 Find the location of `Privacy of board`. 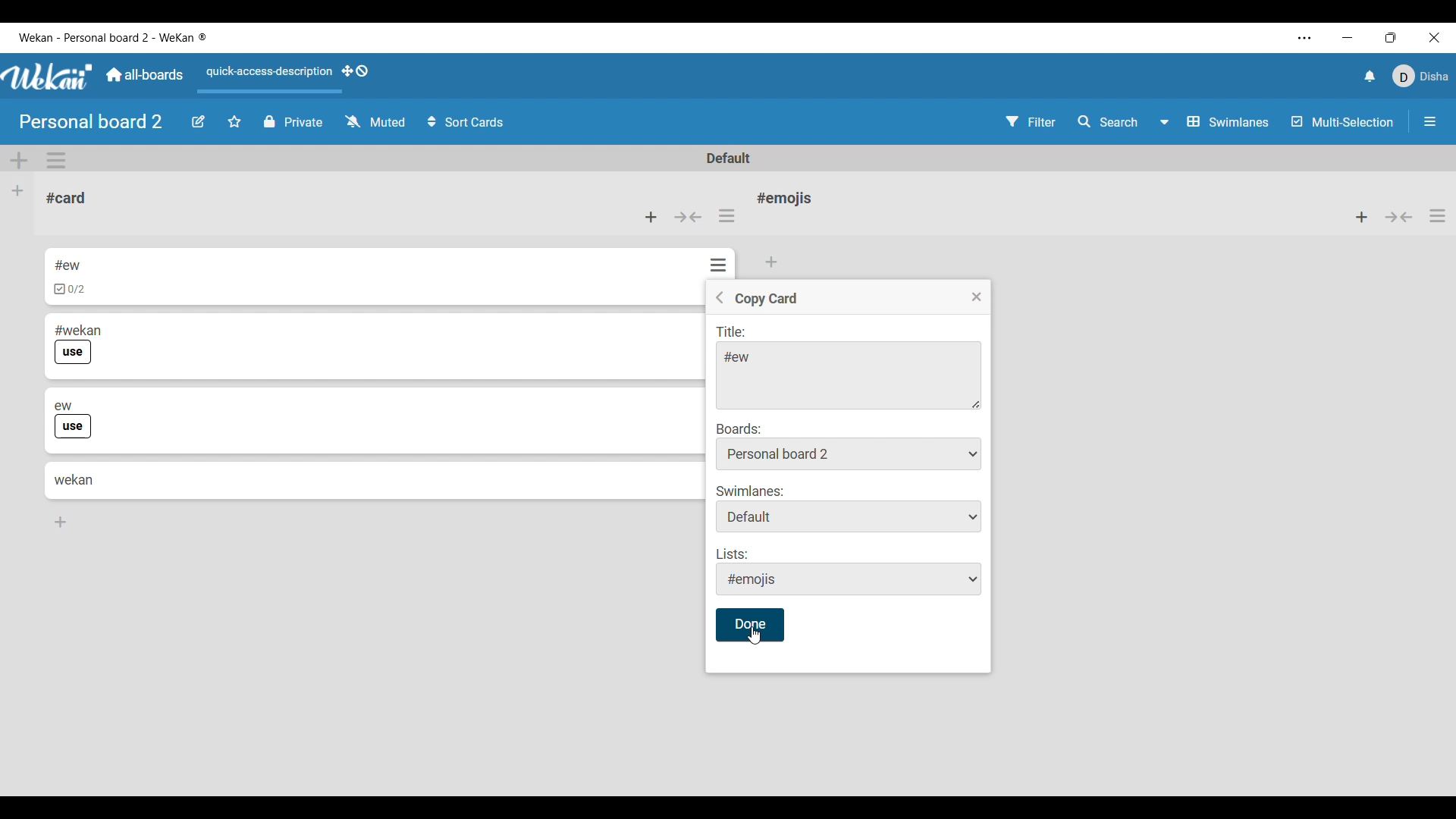

Privacy of board is located at coordinates (293, 121).